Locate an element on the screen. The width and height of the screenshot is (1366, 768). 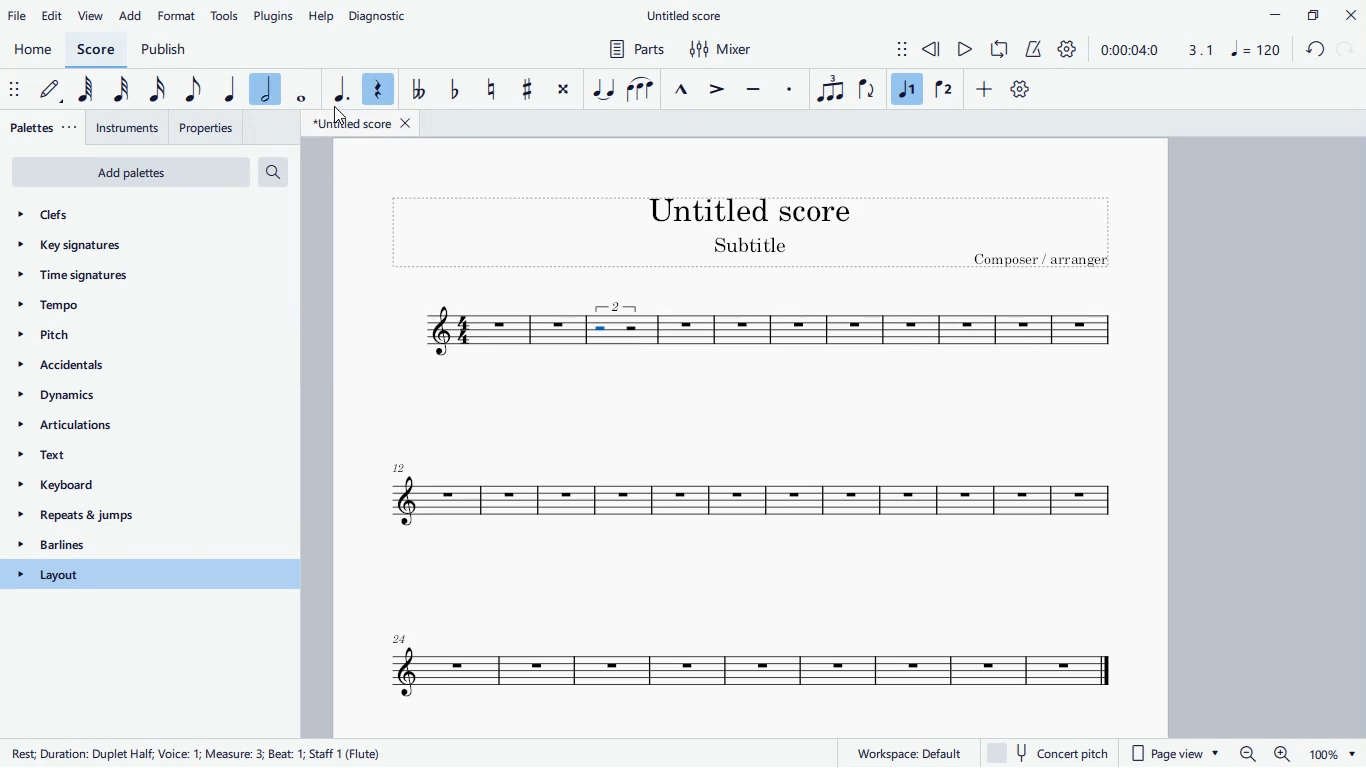
half note is located at coordinates (266, 91).